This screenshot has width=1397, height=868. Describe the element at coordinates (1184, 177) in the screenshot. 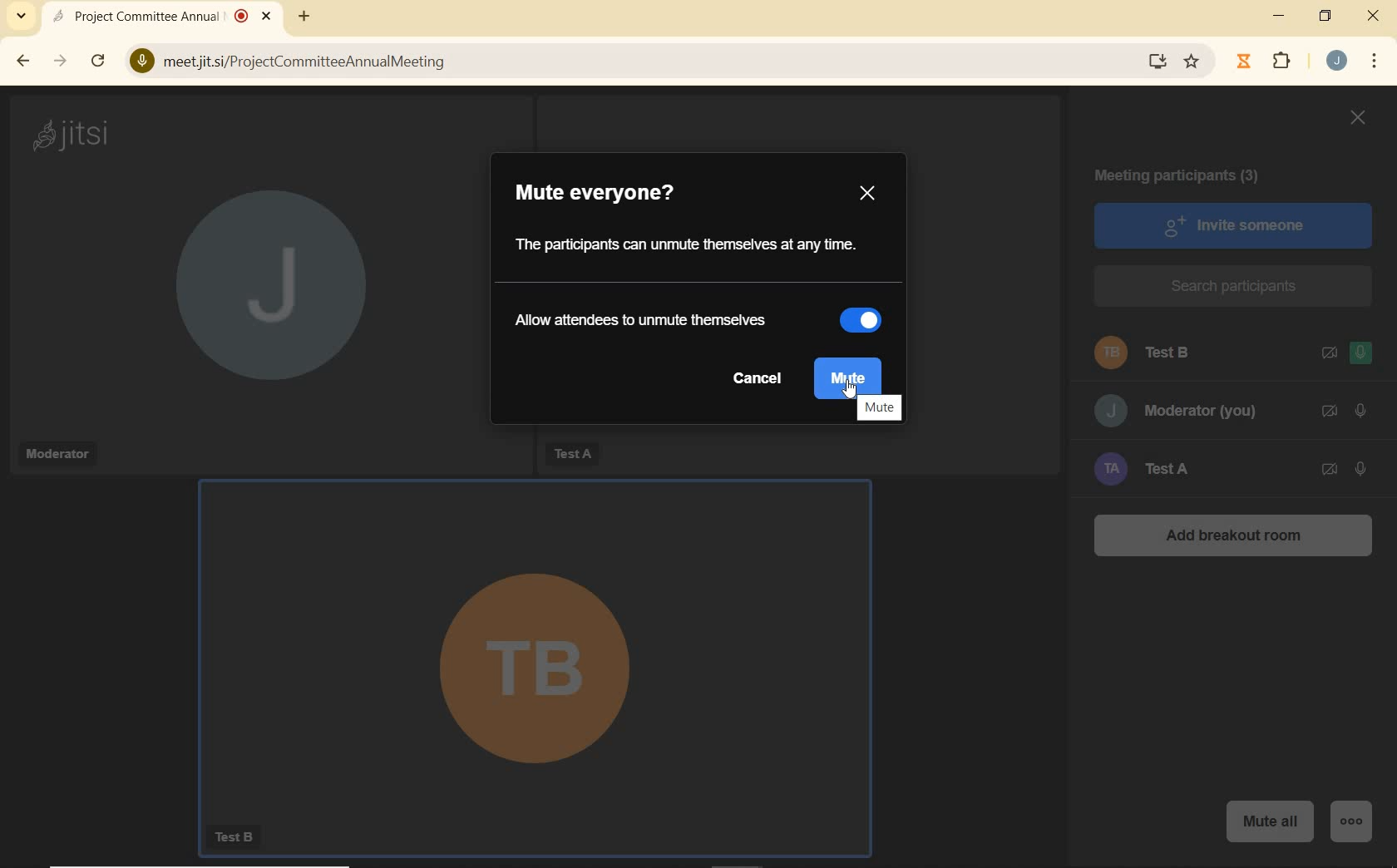

I see `MEETING PARTICIPANTS` at that location.